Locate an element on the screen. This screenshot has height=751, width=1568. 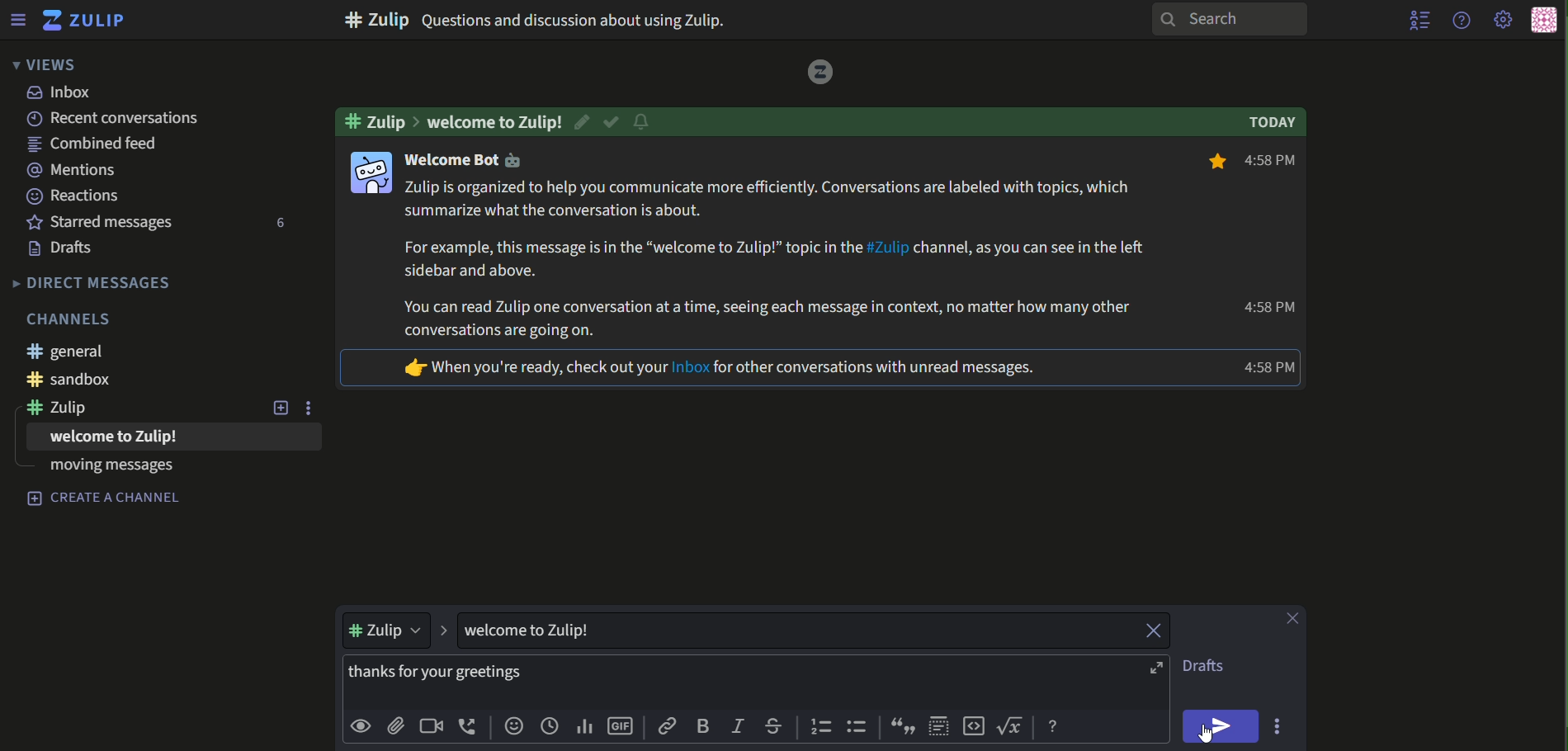
textbox is located at coordinates (722, 681).